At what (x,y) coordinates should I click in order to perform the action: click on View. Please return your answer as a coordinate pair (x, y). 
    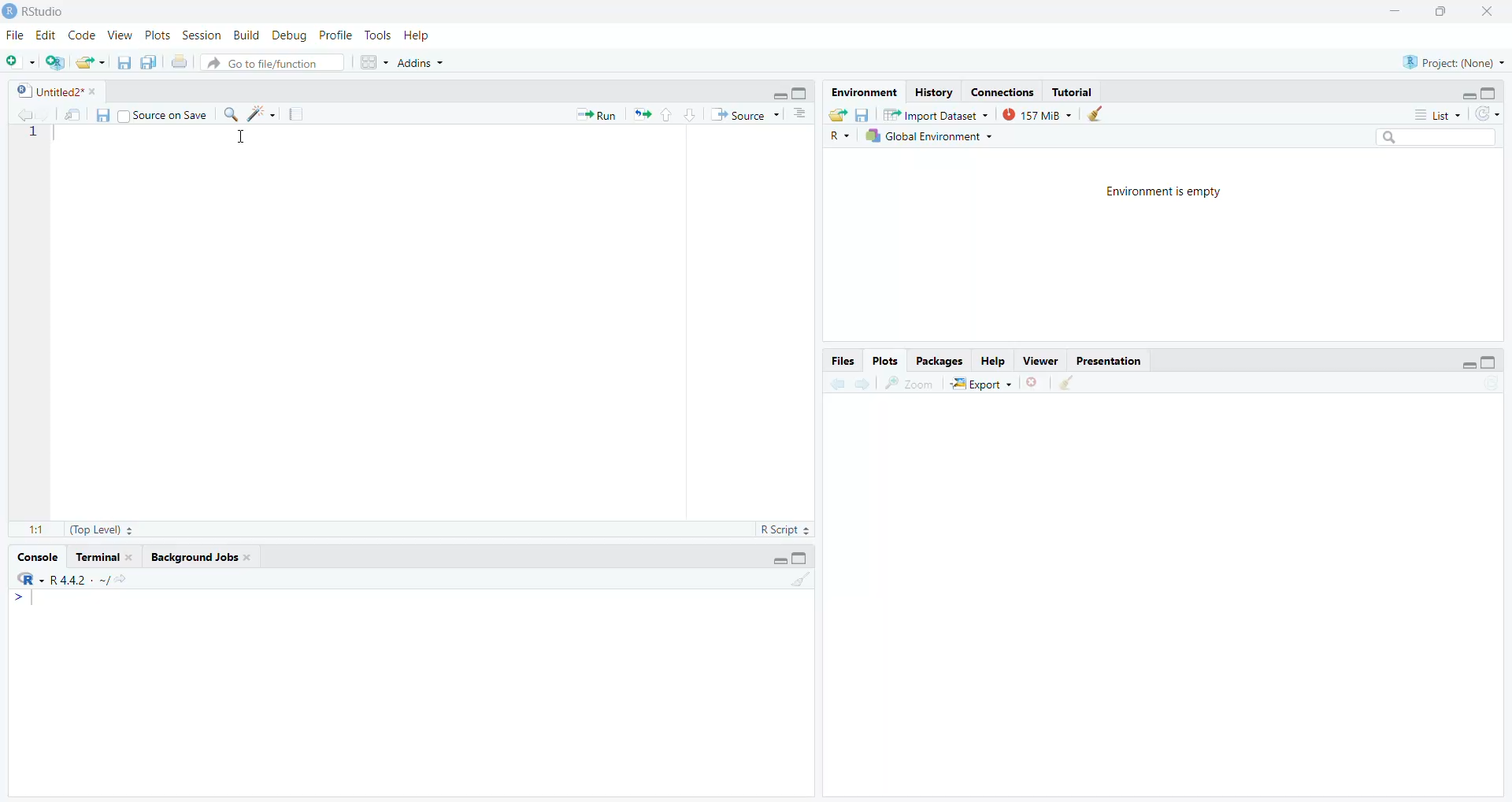
    Looking at the image, I should click on (119, 33).